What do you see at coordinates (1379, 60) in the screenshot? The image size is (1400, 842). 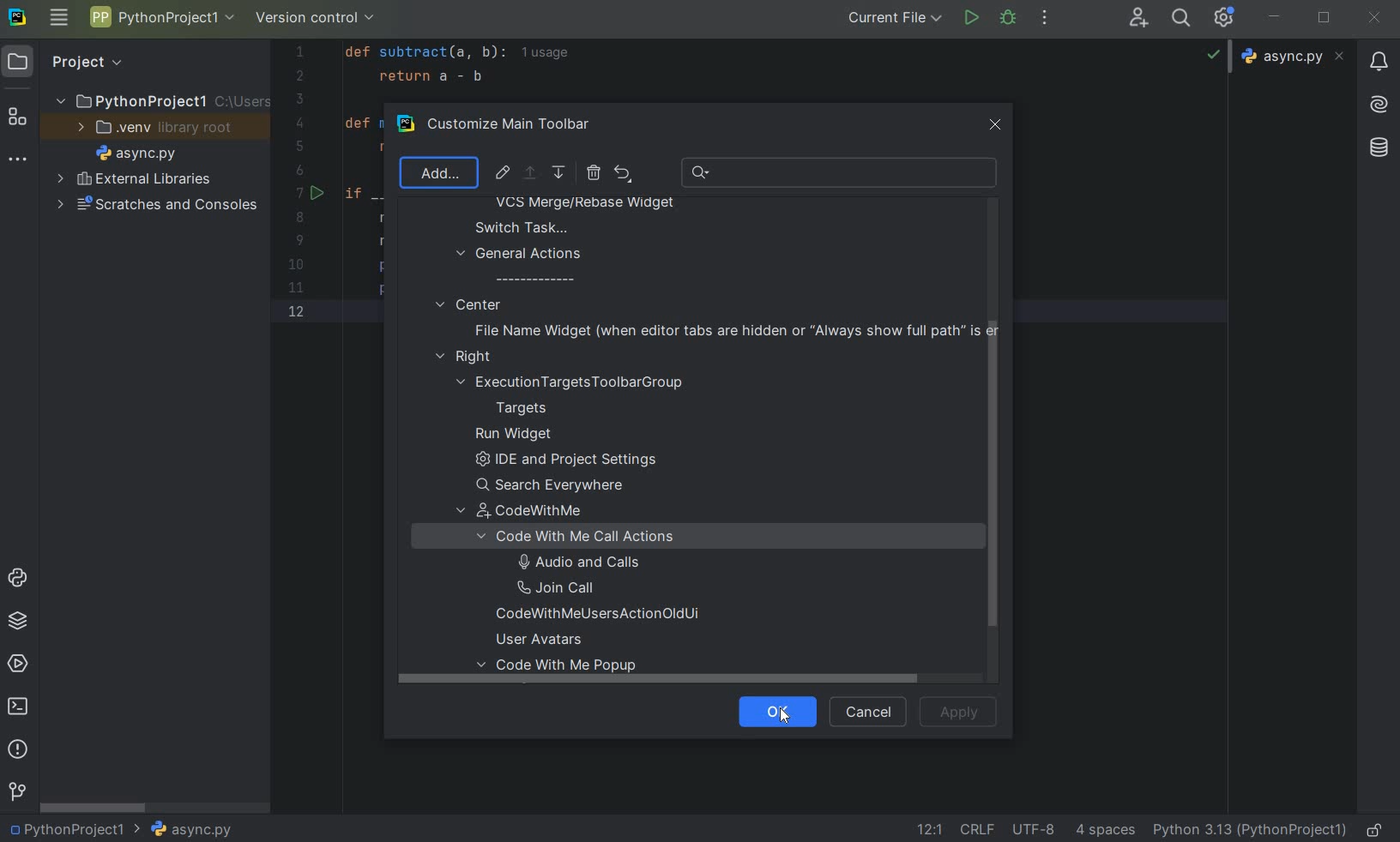 I see `updates` at bounding box center [1379, 60].